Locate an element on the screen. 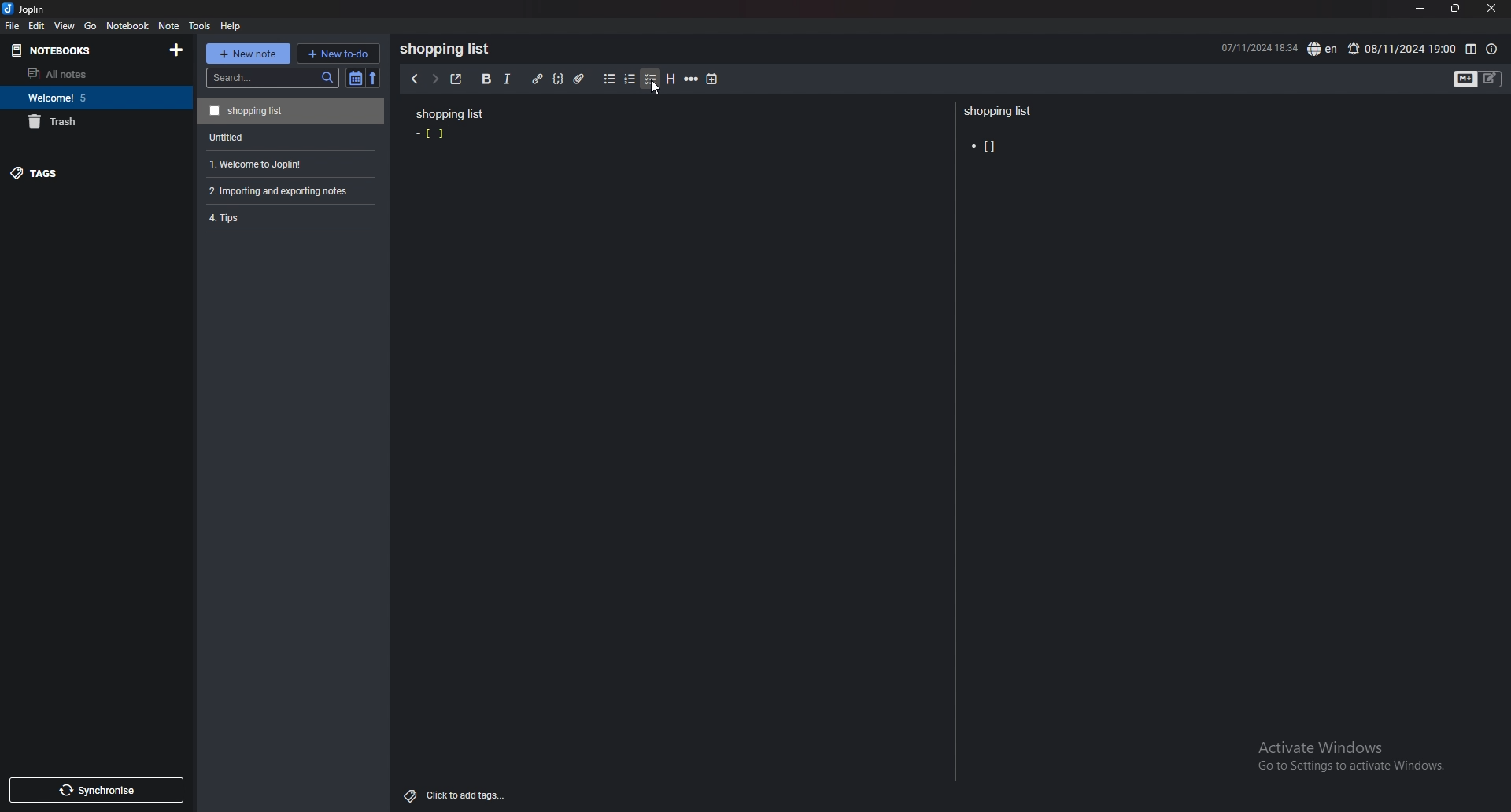 The image size is (1511, 812). search bar is located at coordinates (272, 78).